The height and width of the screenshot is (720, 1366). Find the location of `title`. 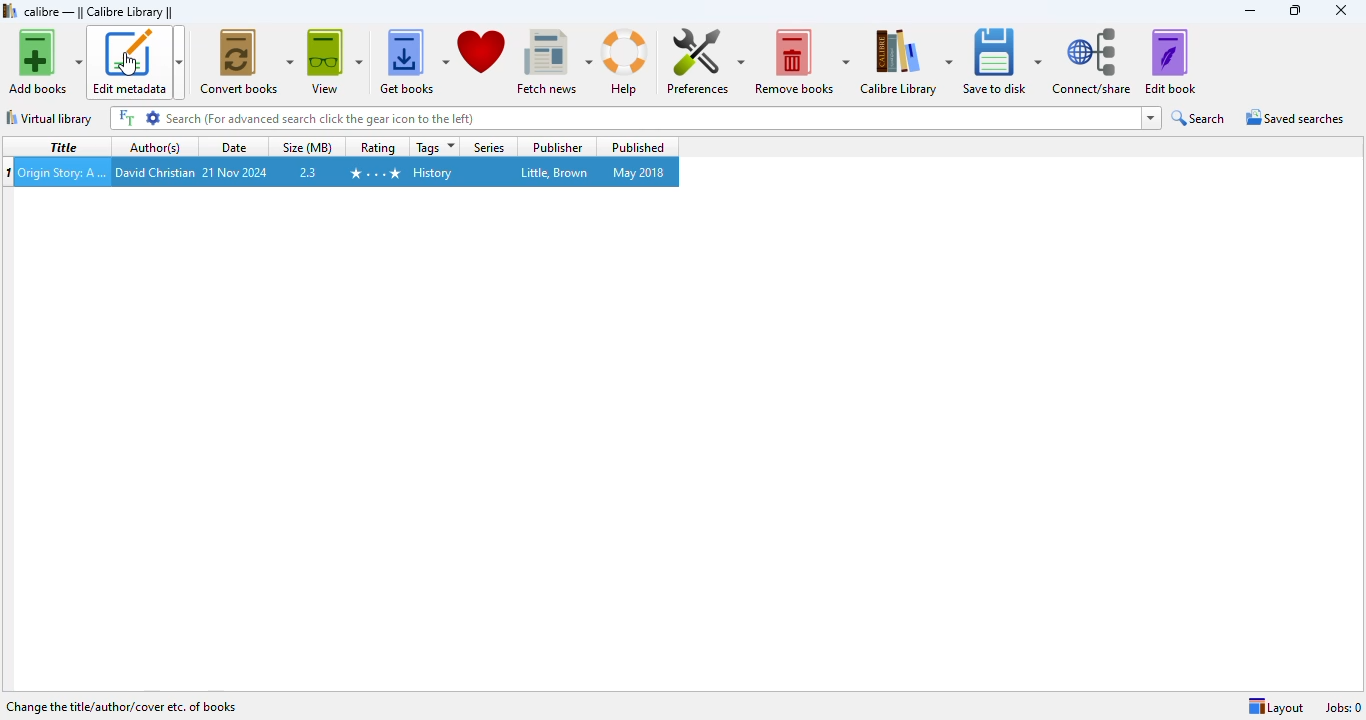

title is located at coordinates (64, 147).